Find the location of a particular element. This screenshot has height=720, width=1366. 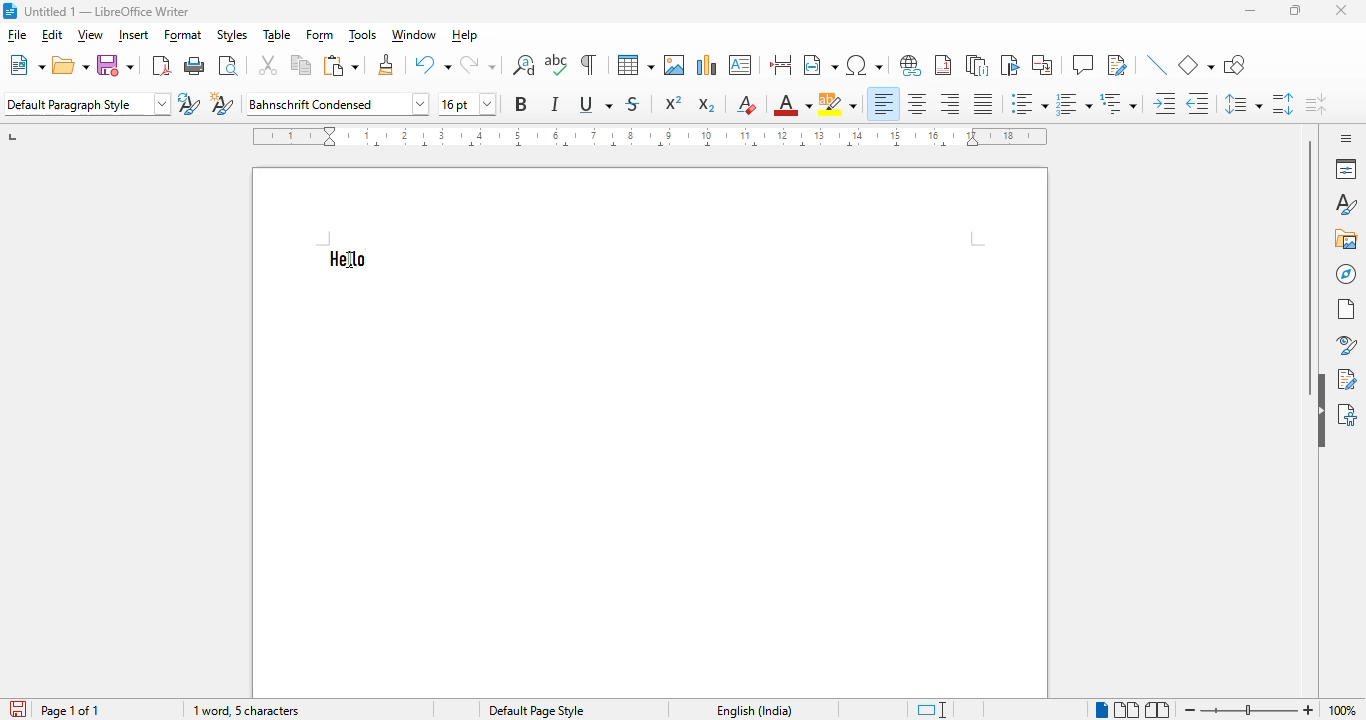

word and character count is located at coordinates (247, 711).